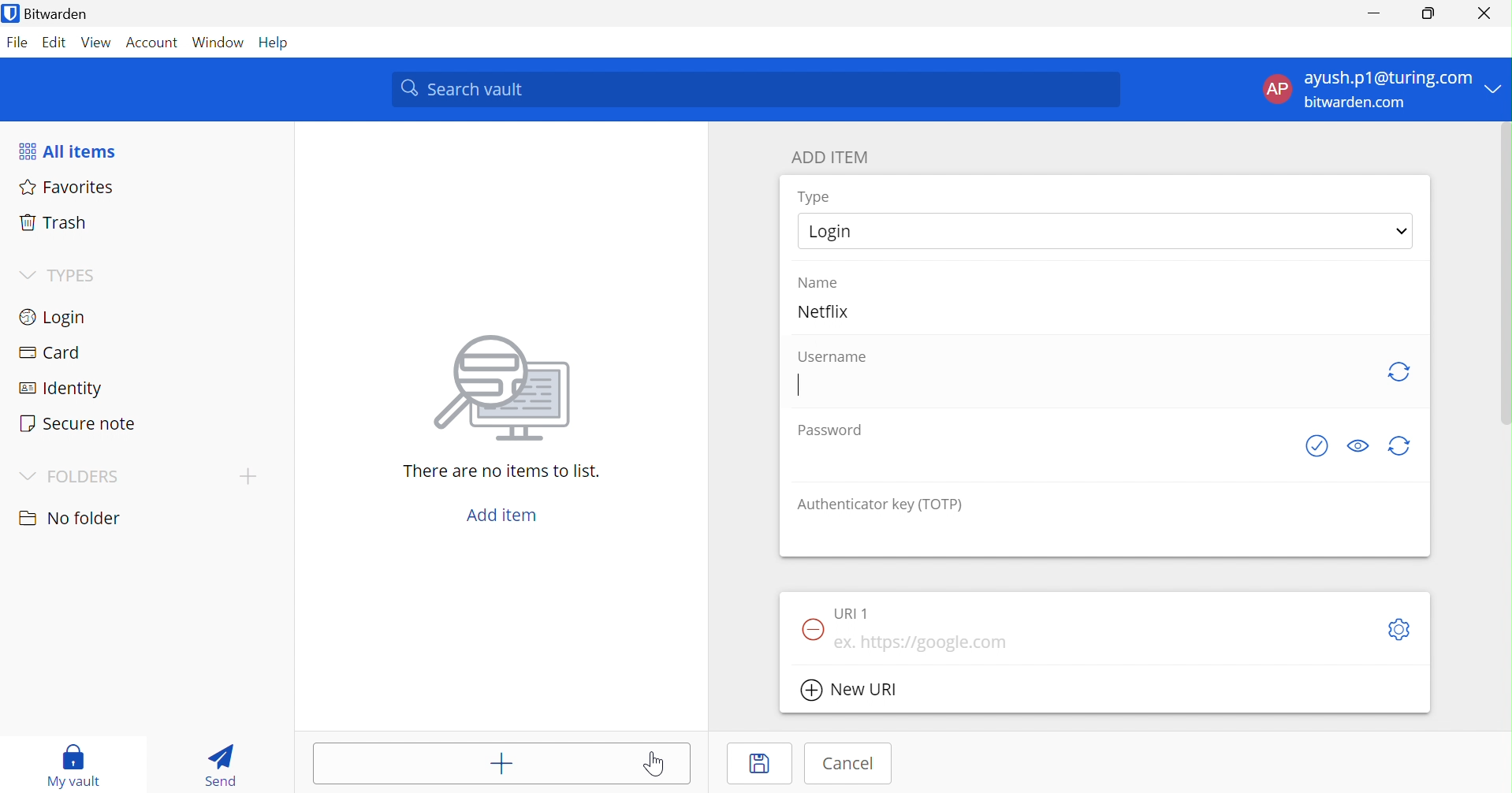 This screenshot has height=793, width=1512. Describe the element at coordinates (754, 88) in the screenshot. I see `Search vault` at that location.